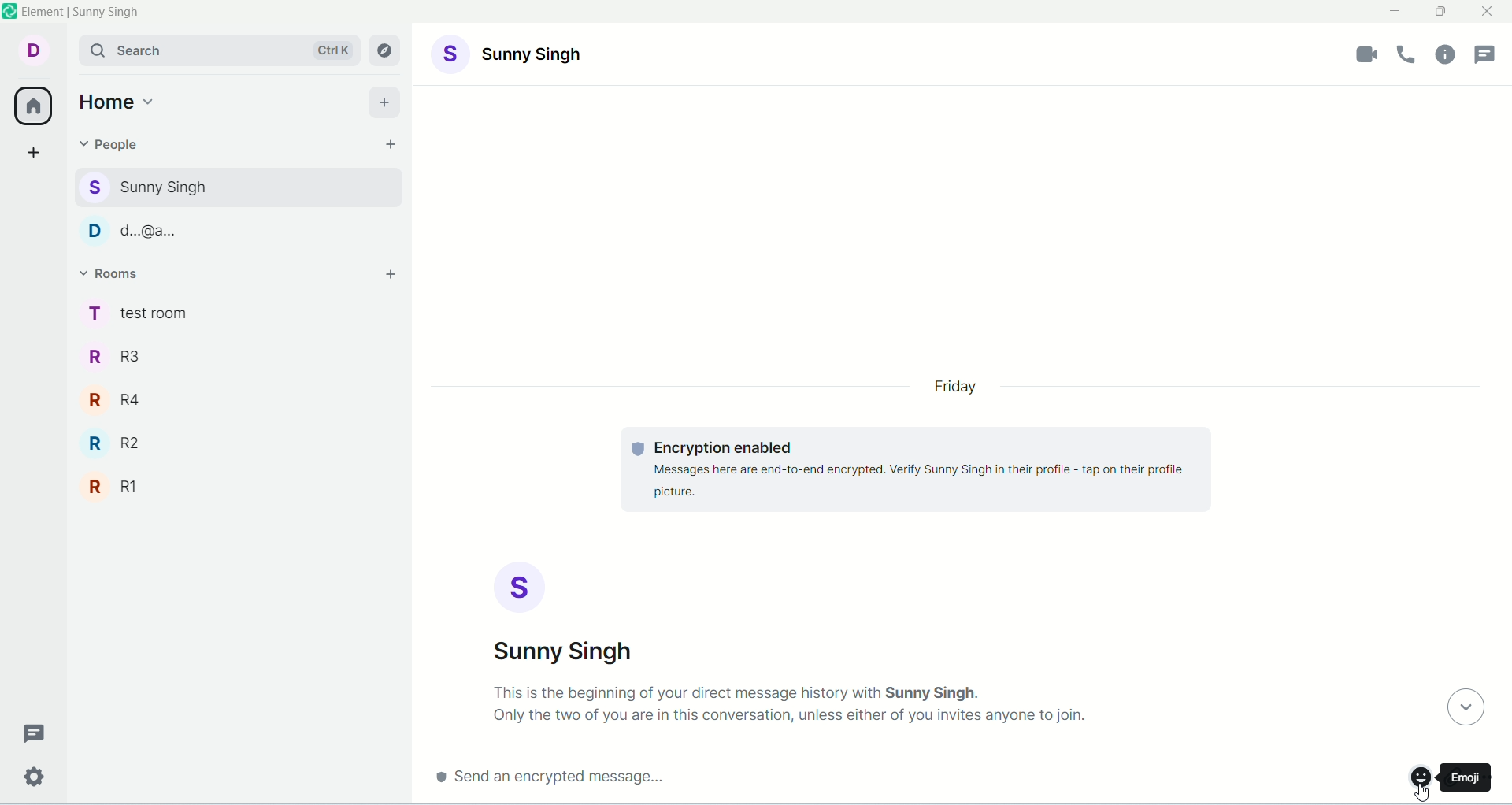 The image size is (1512, 805). What do you see at coordinates (32, 107) in the screenshot?
I see `home` at bounding box center [32, 107].